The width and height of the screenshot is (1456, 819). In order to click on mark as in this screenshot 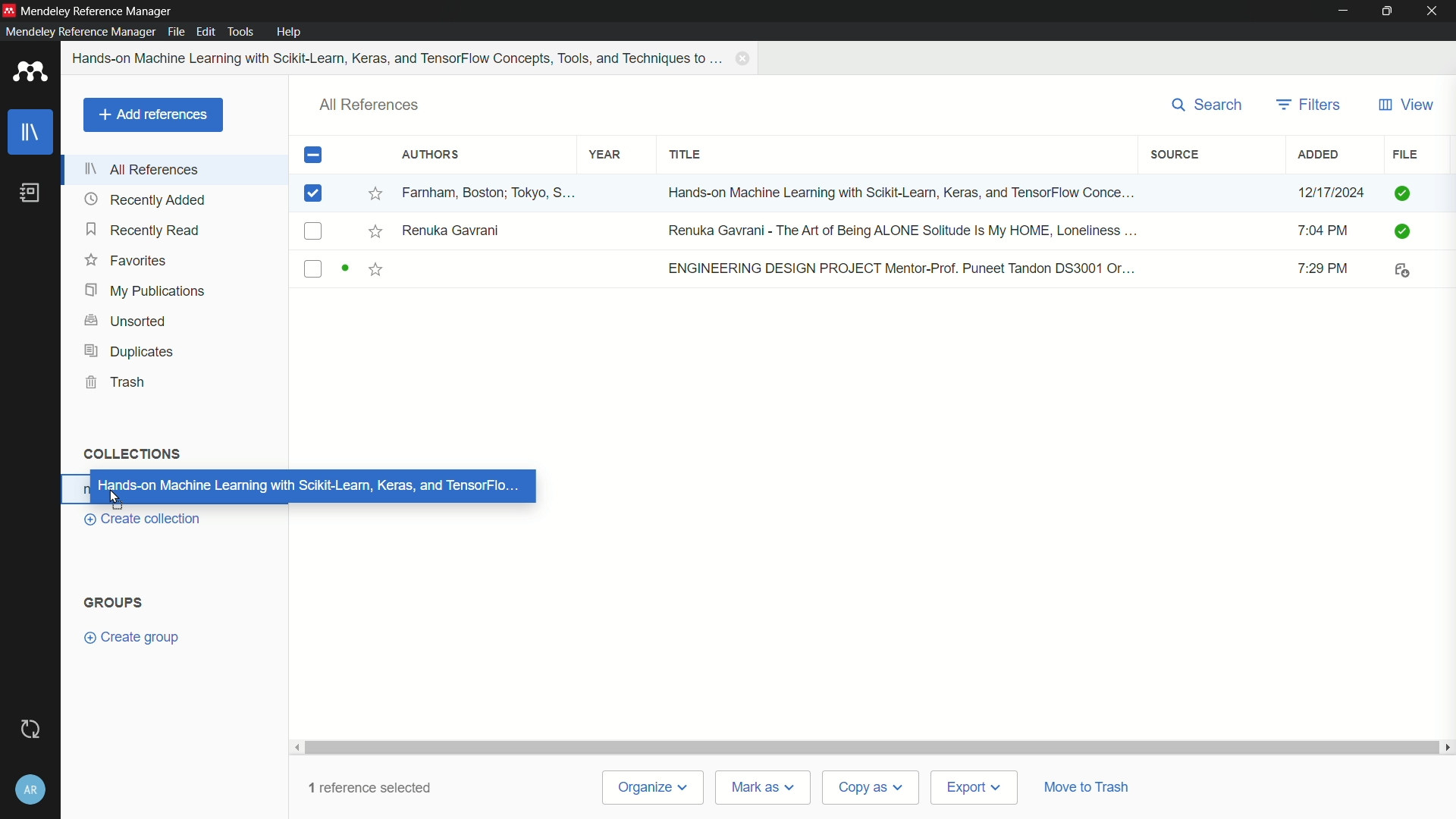, I will do `click(761, 788)`.